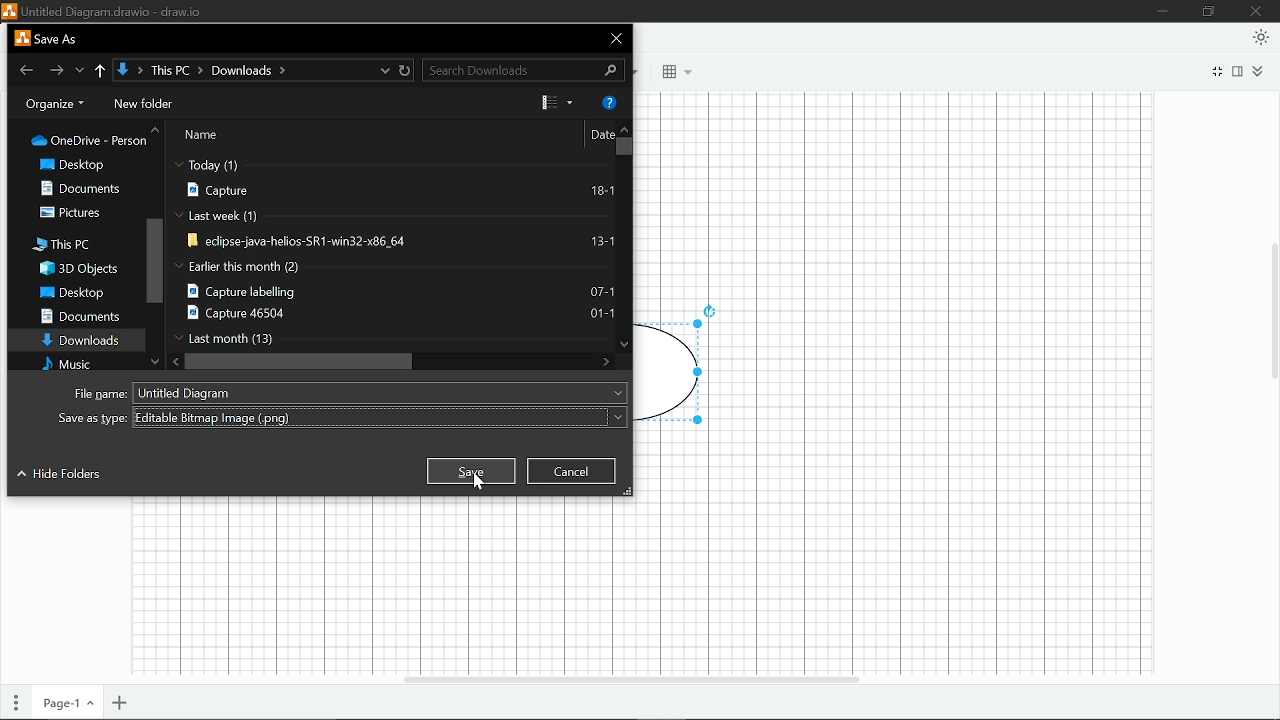 The height and width of the screenshot is (720, 1280). What do you see at coordinates (526, 70) in the screenshot?
I see `Search downloads` at bounding box center [526, 70].